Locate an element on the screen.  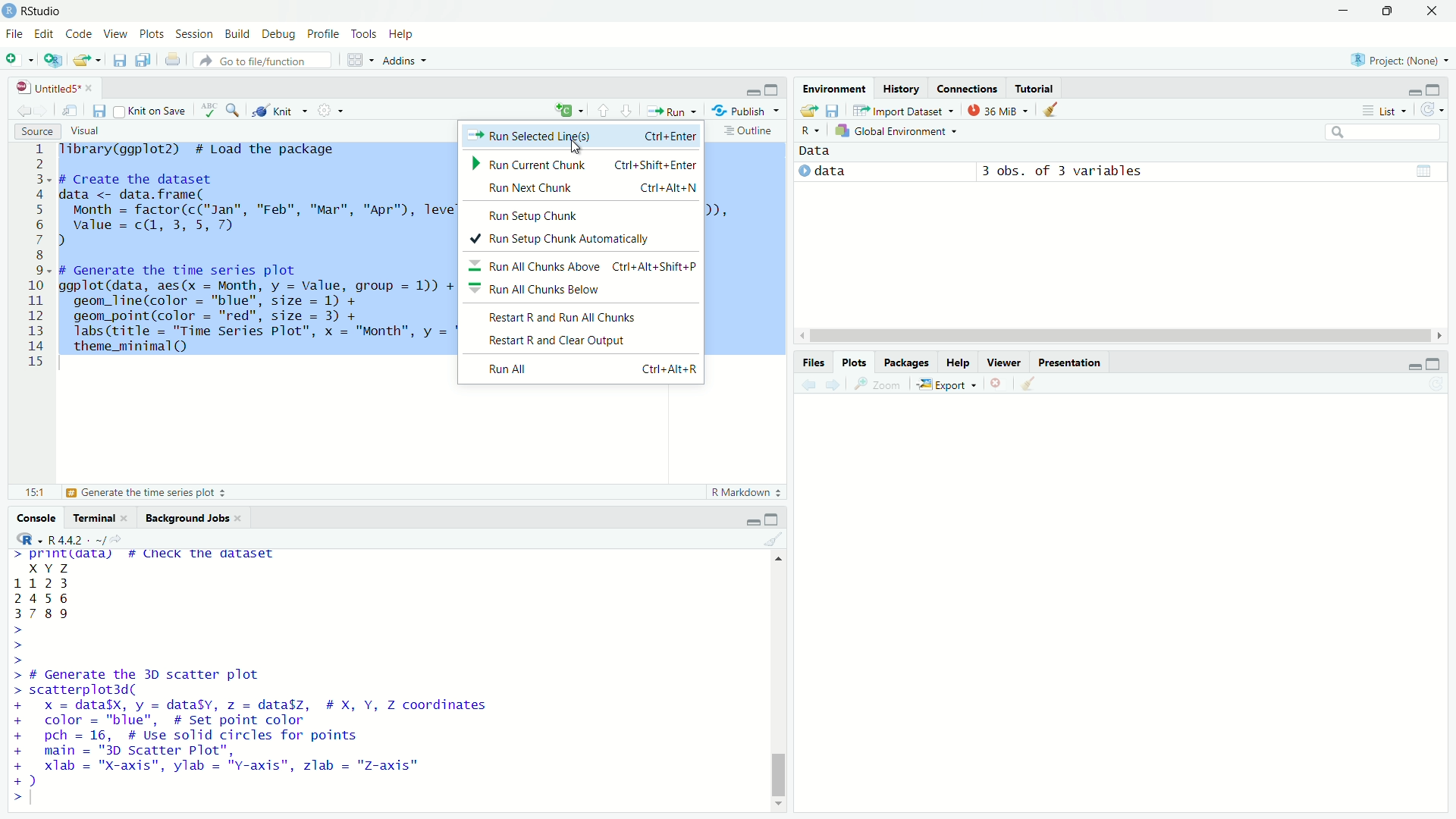
console is located at coordinates (32, 517).